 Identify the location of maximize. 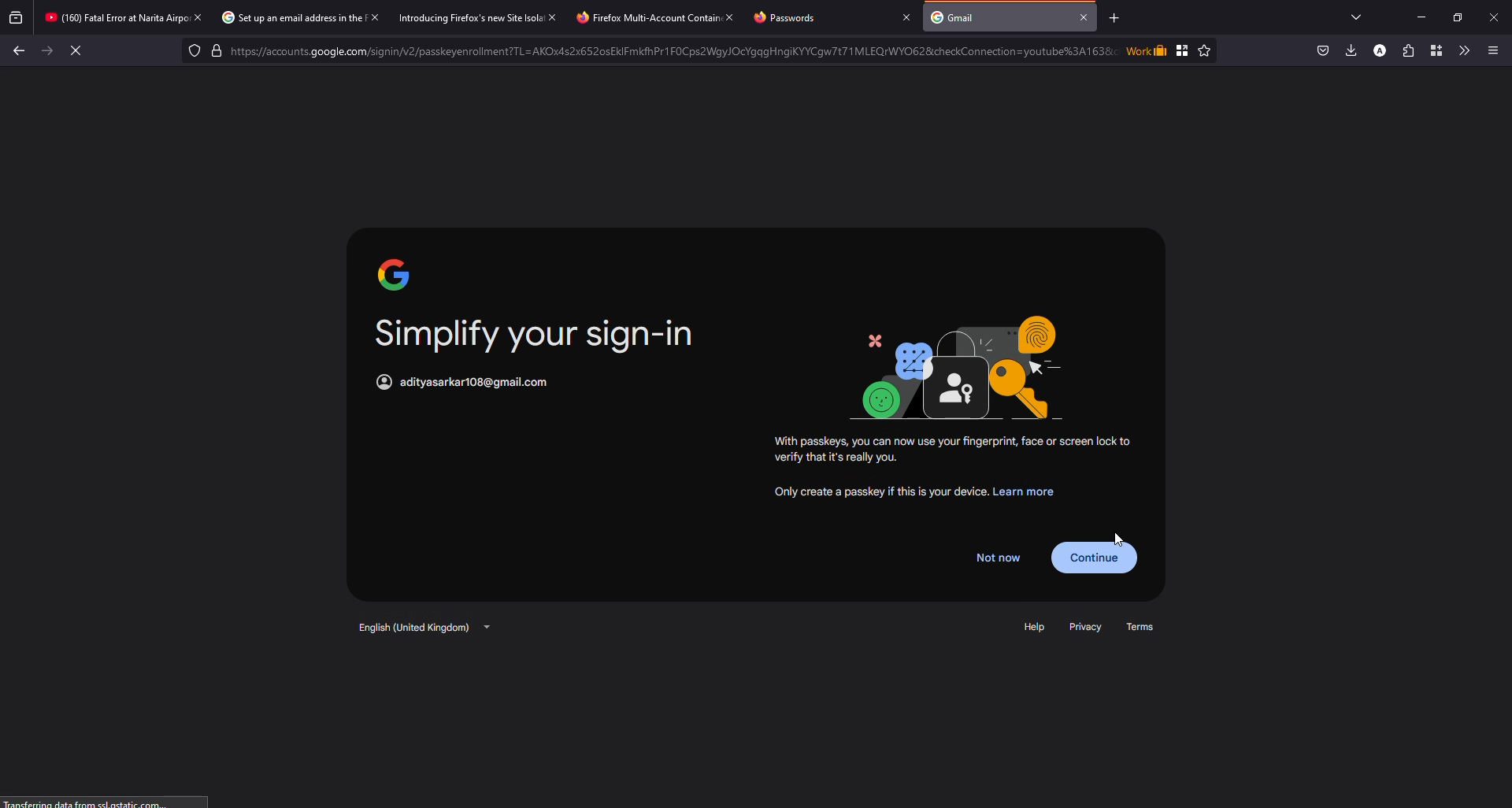
(1457, 15).